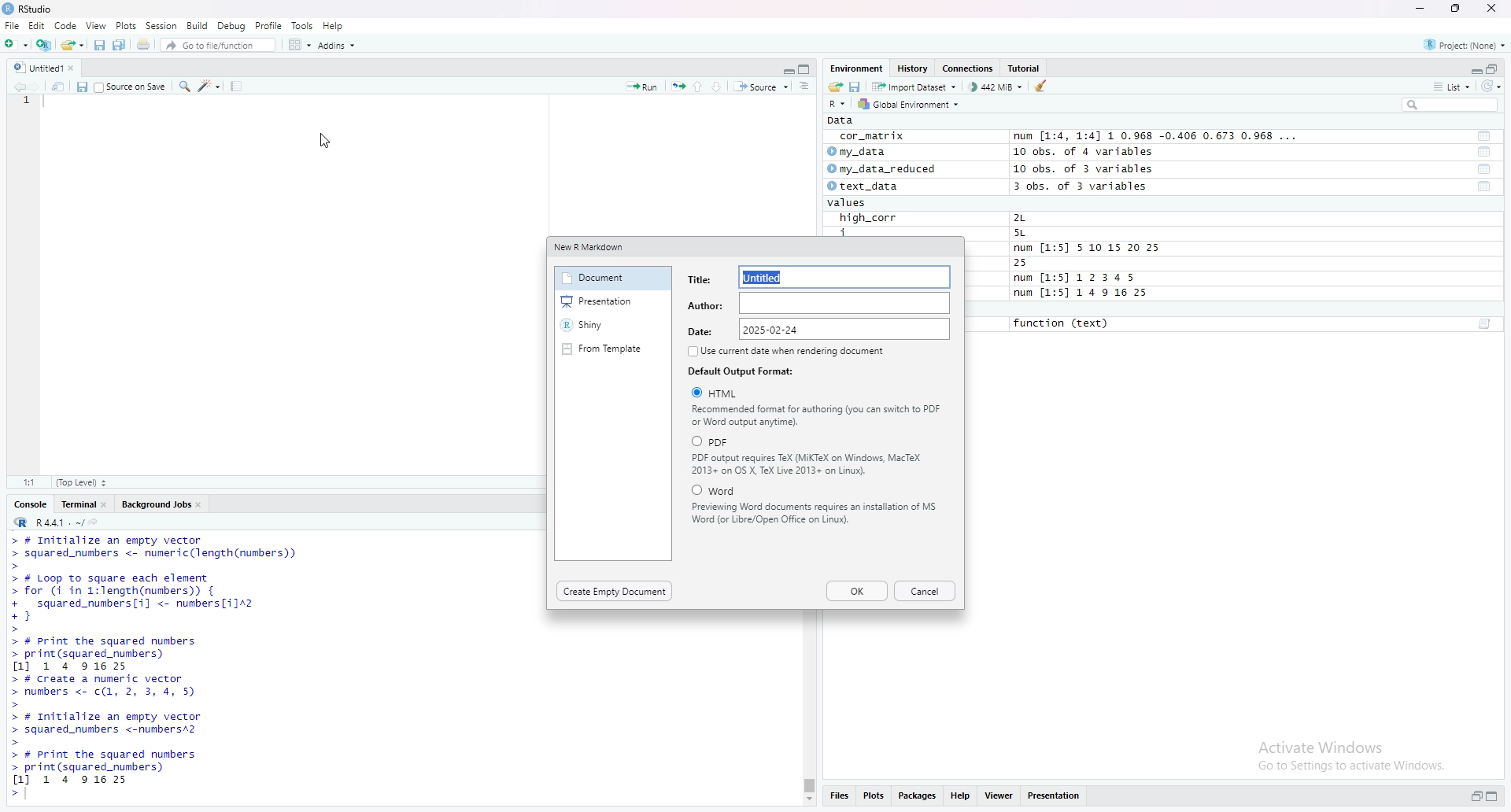  What do you see at coordinates (1097, 151) in the screenshot?
I see `10 obs. of 4 variables` at bounding box center [1097, 151].